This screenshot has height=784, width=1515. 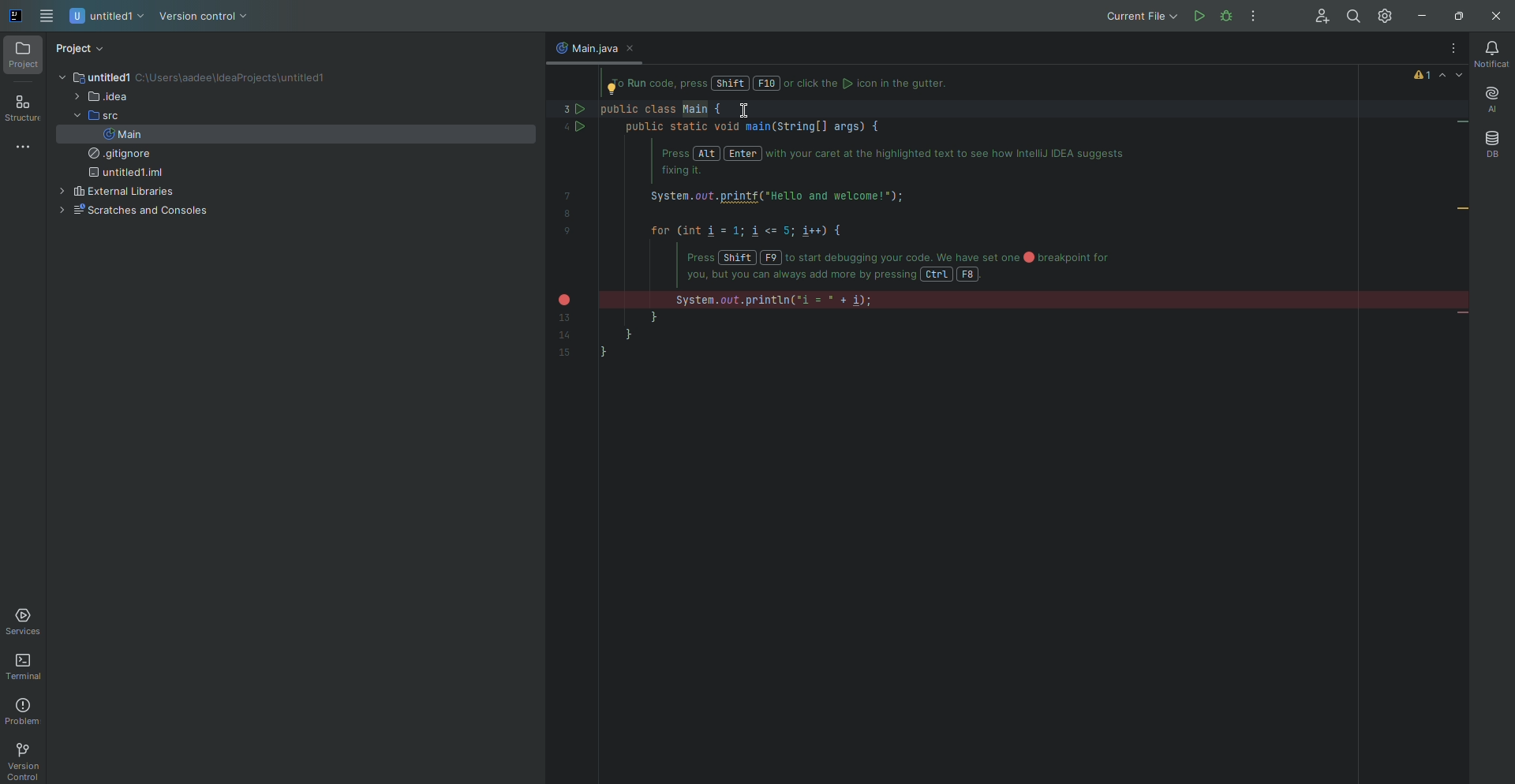 What do you see at coordinates (1256, 16) in the screenshot?
I see `Debug` at bounding box center [1256, 16].